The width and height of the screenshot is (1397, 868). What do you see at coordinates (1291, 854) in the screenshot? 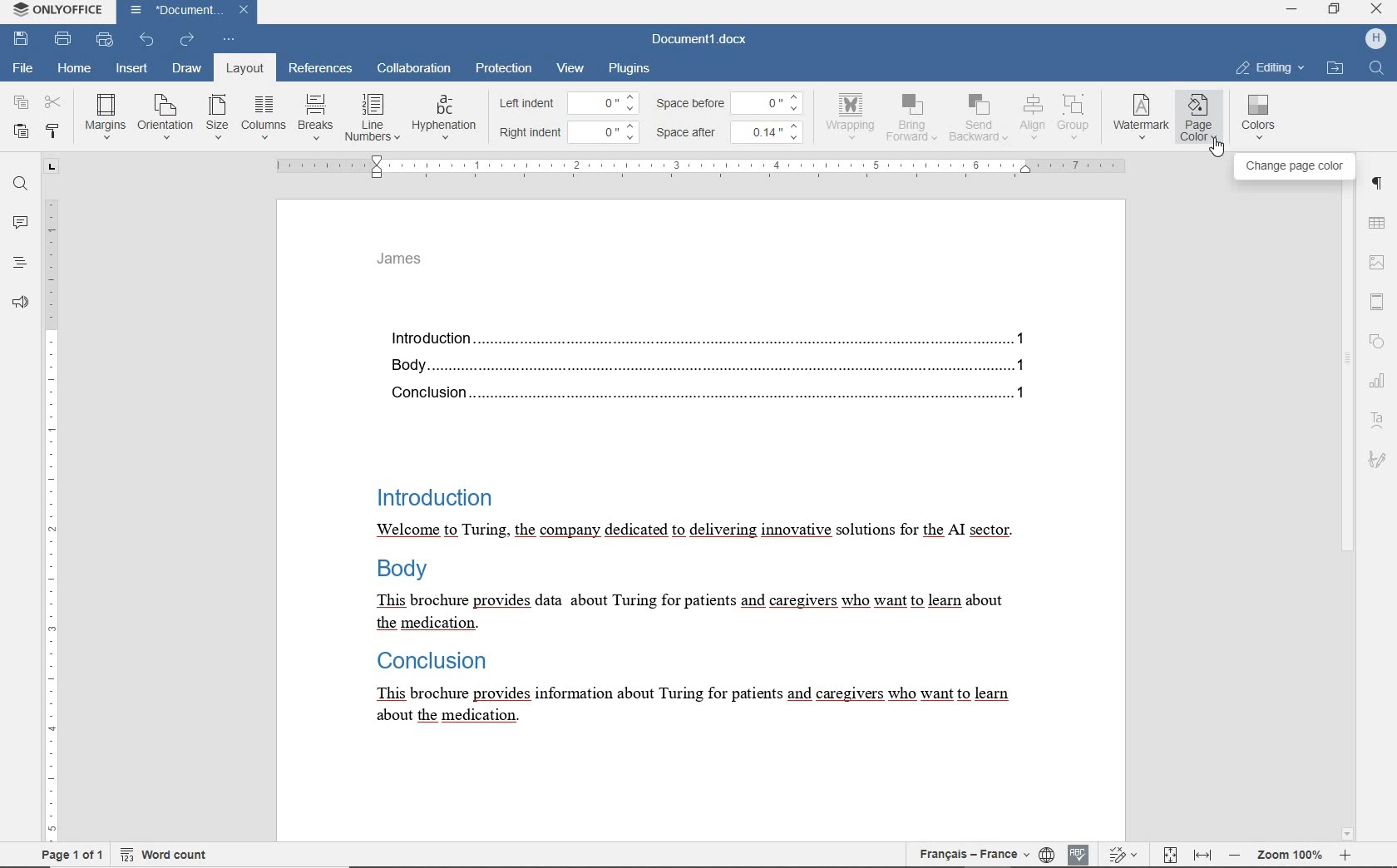
I see `zoom out or zoom in` at bounding box center [1291, 854].